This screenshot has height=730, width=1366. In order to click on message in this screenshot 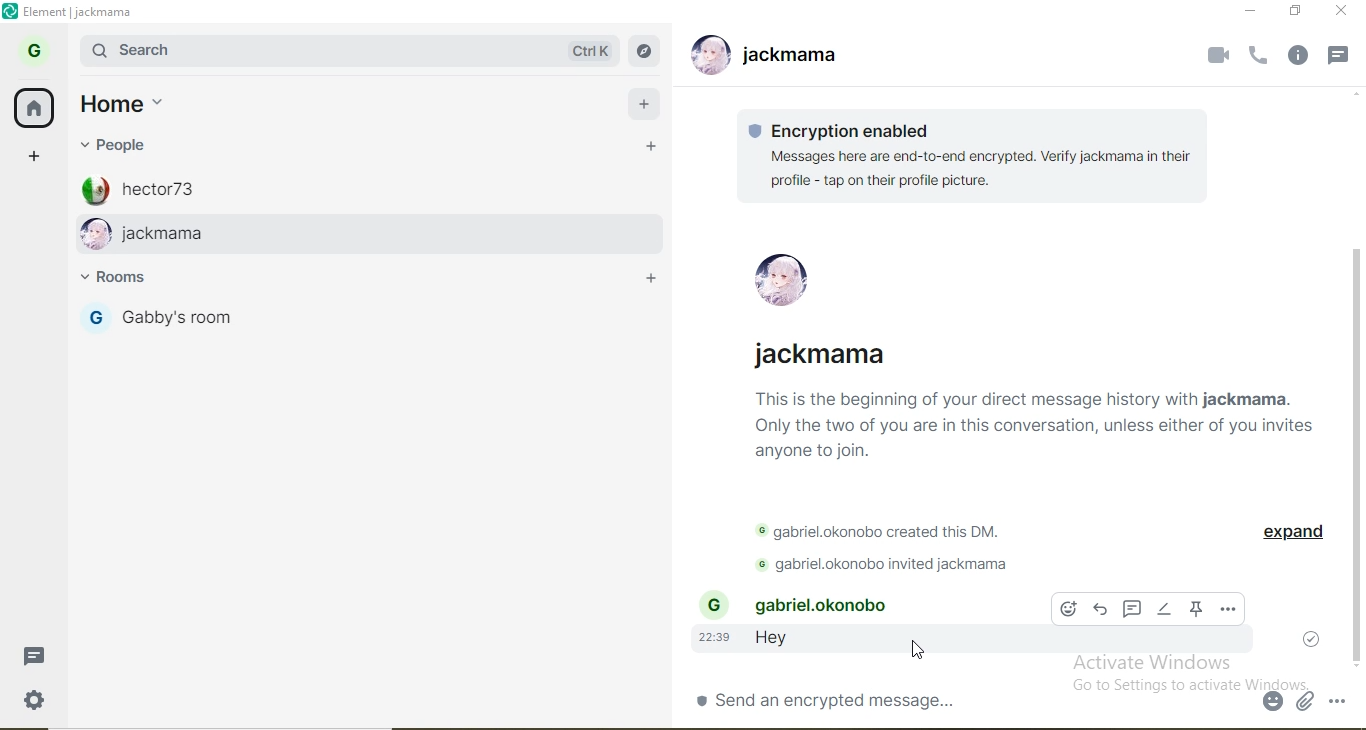, I will do `click(33, 657)`.